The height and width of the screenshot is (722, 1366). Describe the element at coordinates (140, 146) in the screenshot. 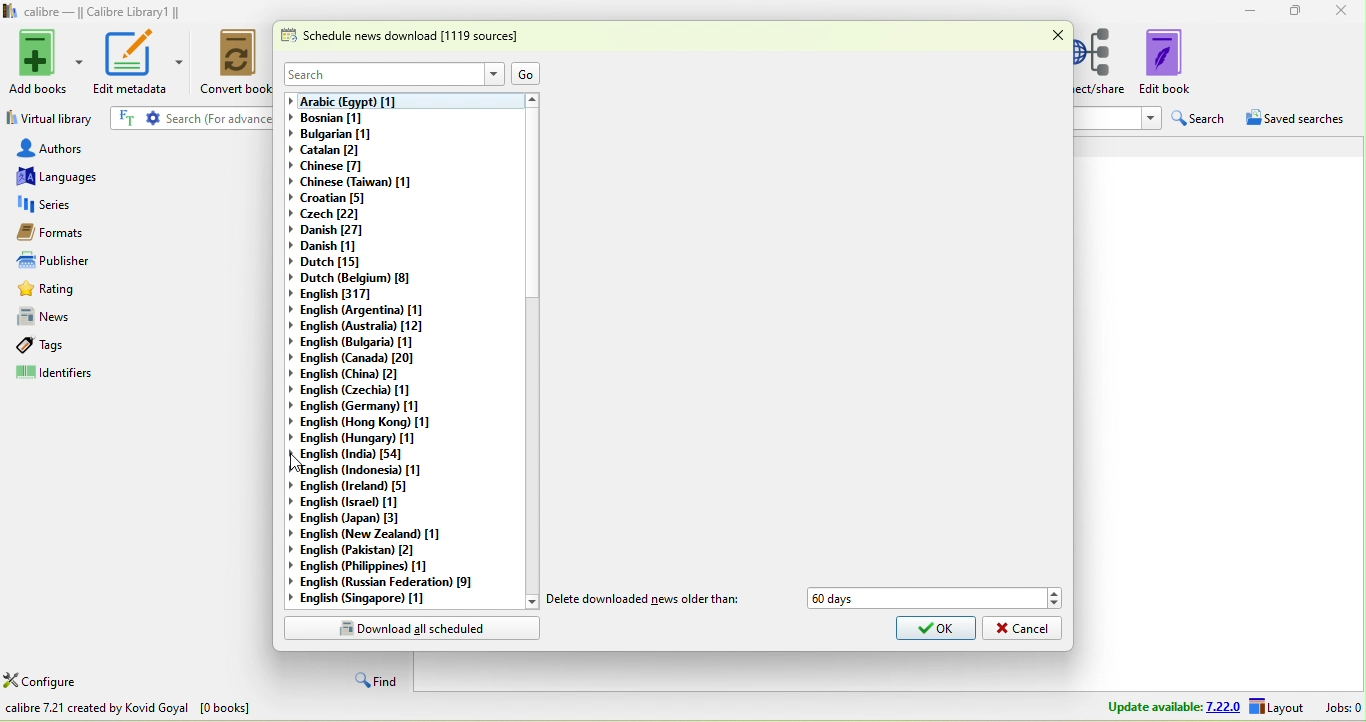

I see `authors` at that location.